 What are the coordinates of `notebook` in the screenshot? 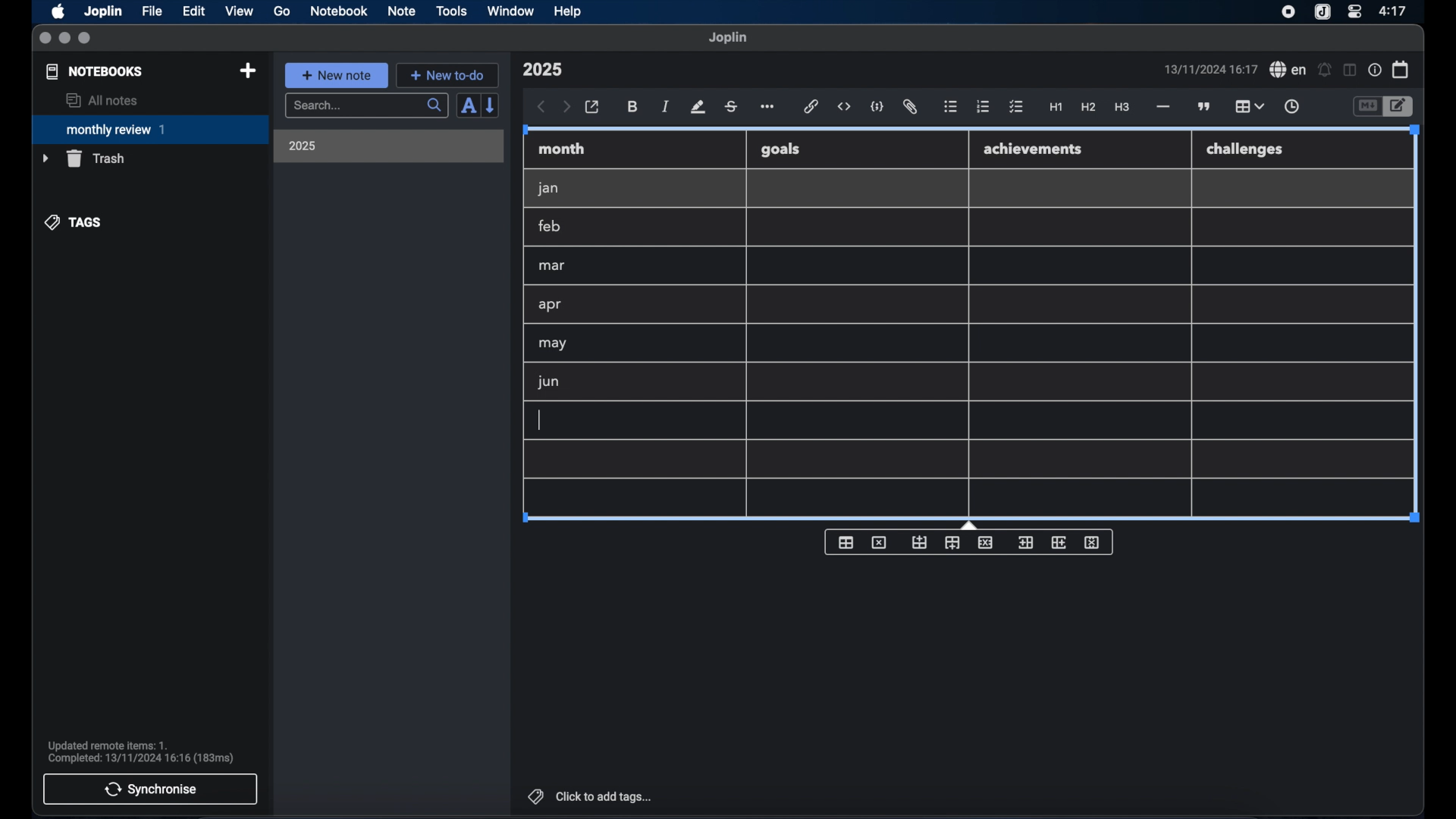 It's located at (339, 11).